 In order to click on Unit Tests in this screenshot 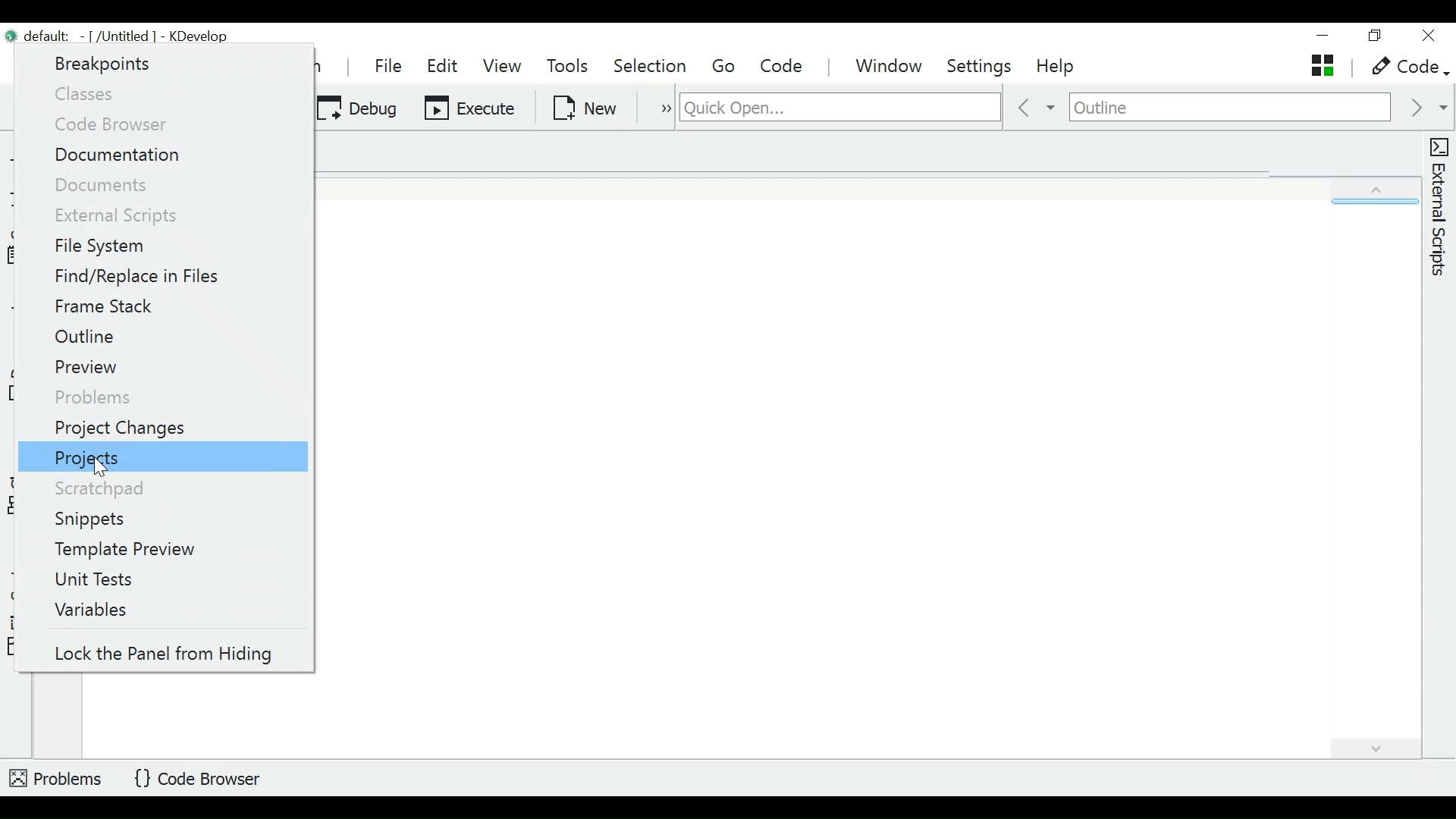, I will do `click(96, 579)`.